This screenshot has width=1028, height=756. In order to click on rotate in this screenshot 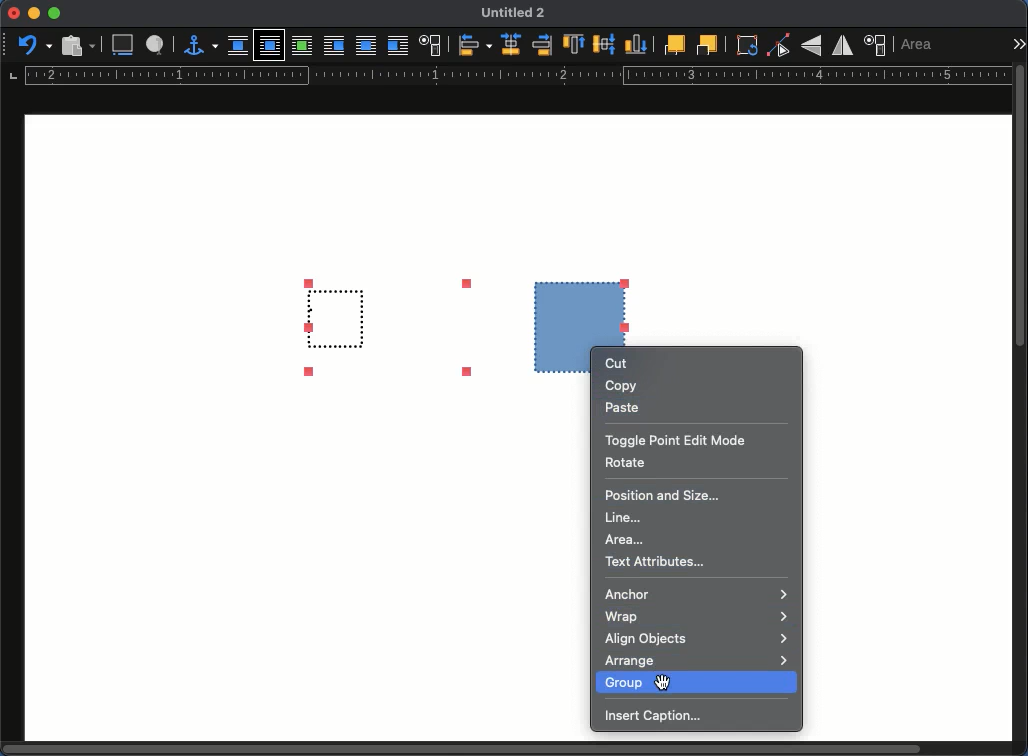, I will do `click(626, 462)`.